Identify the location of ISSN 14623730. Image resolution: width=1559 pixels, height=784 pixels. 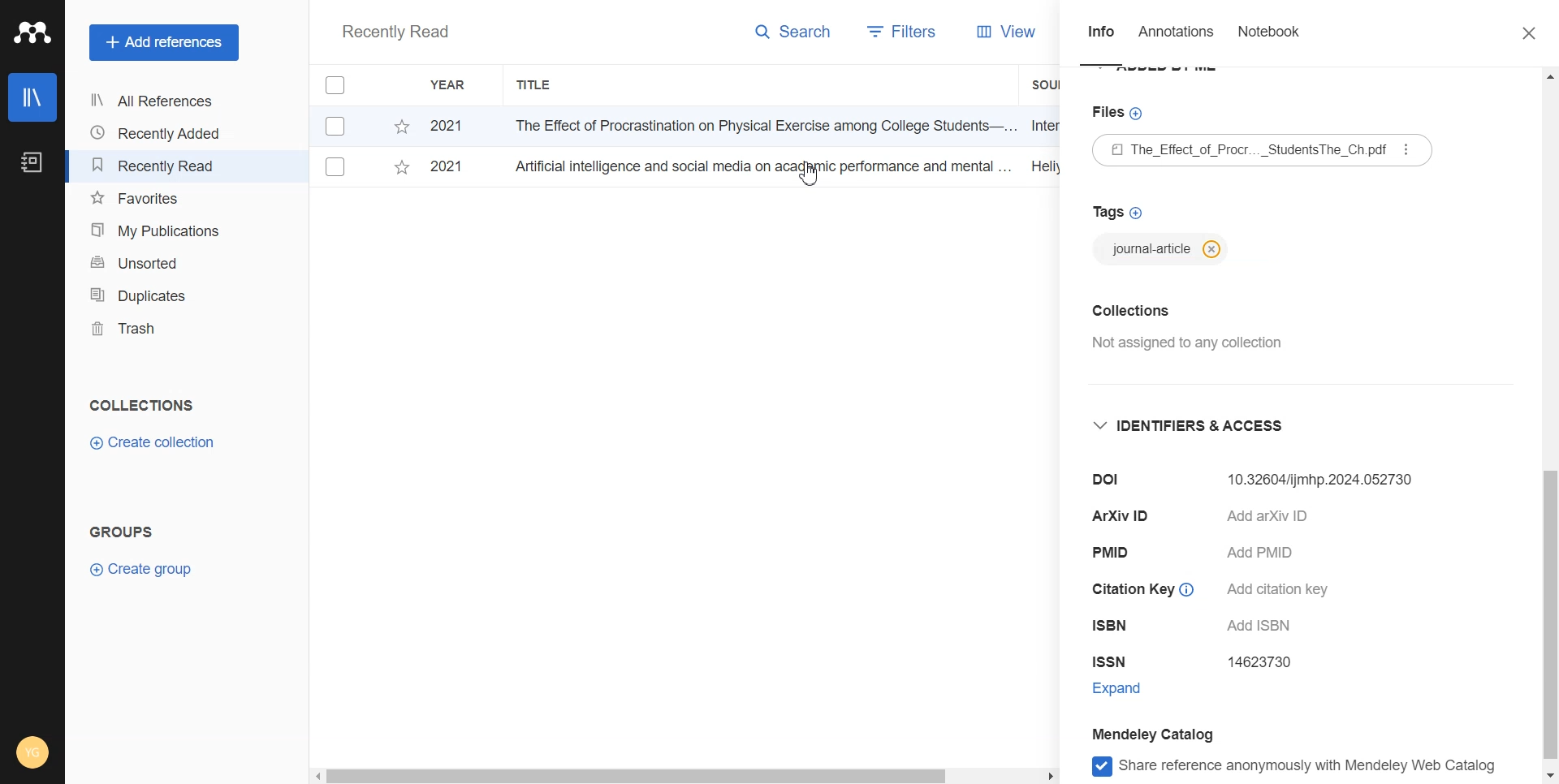
(1200, 662).